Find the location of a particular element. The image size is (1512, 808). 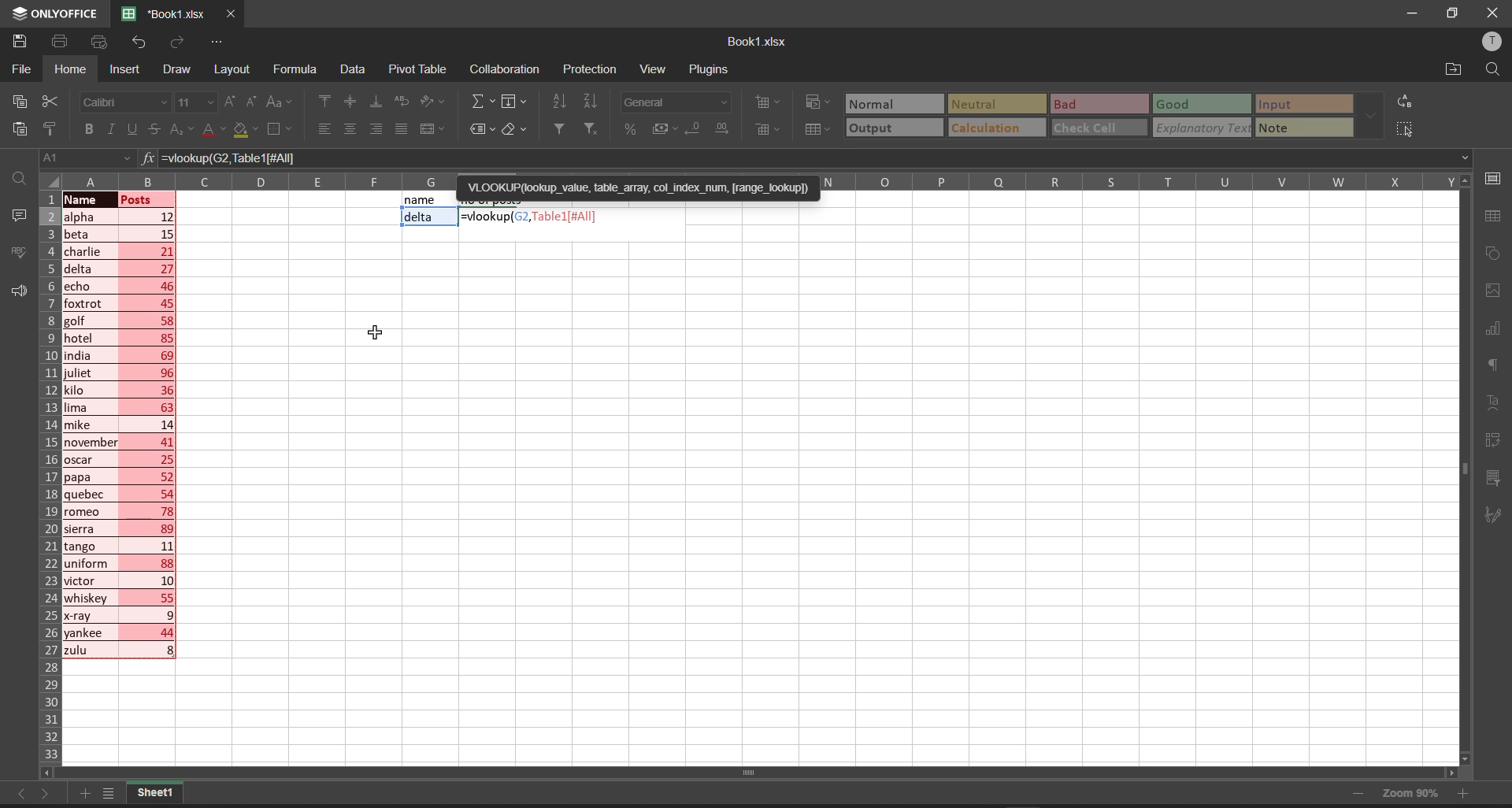

pivot table settings is located at coordinates (1498, 439).